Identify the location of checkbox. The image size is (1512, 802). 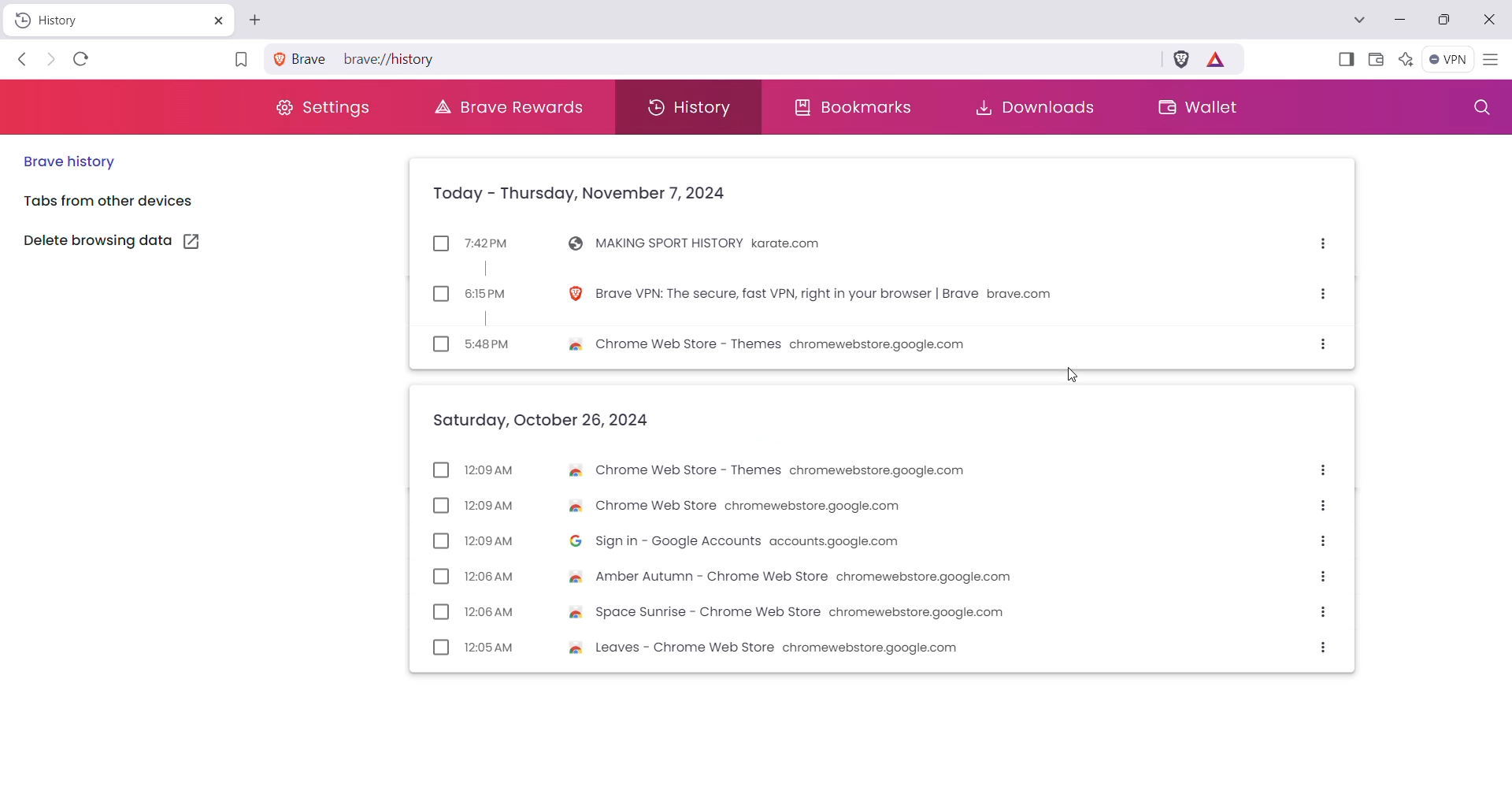
(439, 470).